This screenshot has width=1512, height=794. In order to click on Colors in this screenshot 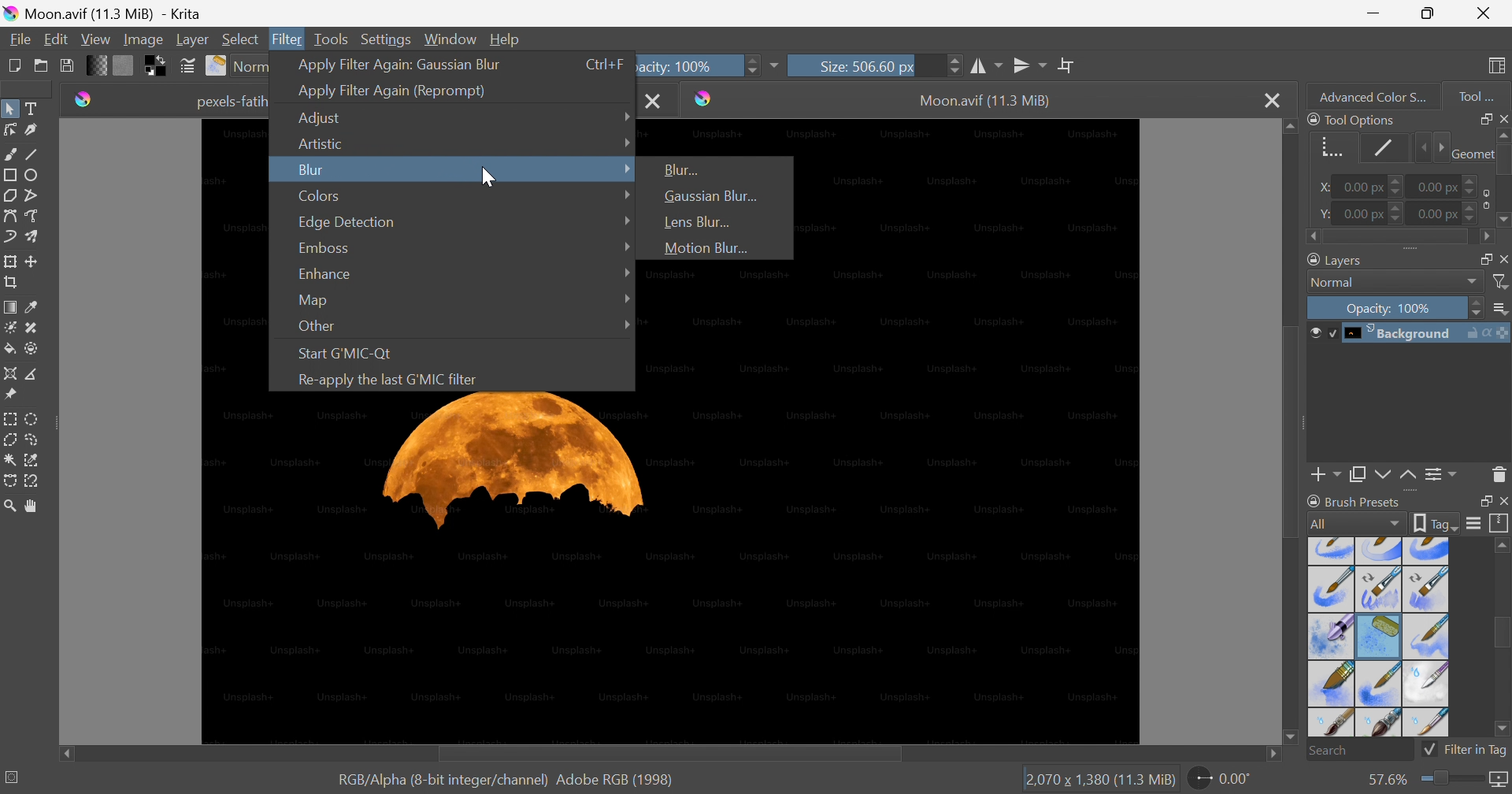, I will do `click(321, 195)`.